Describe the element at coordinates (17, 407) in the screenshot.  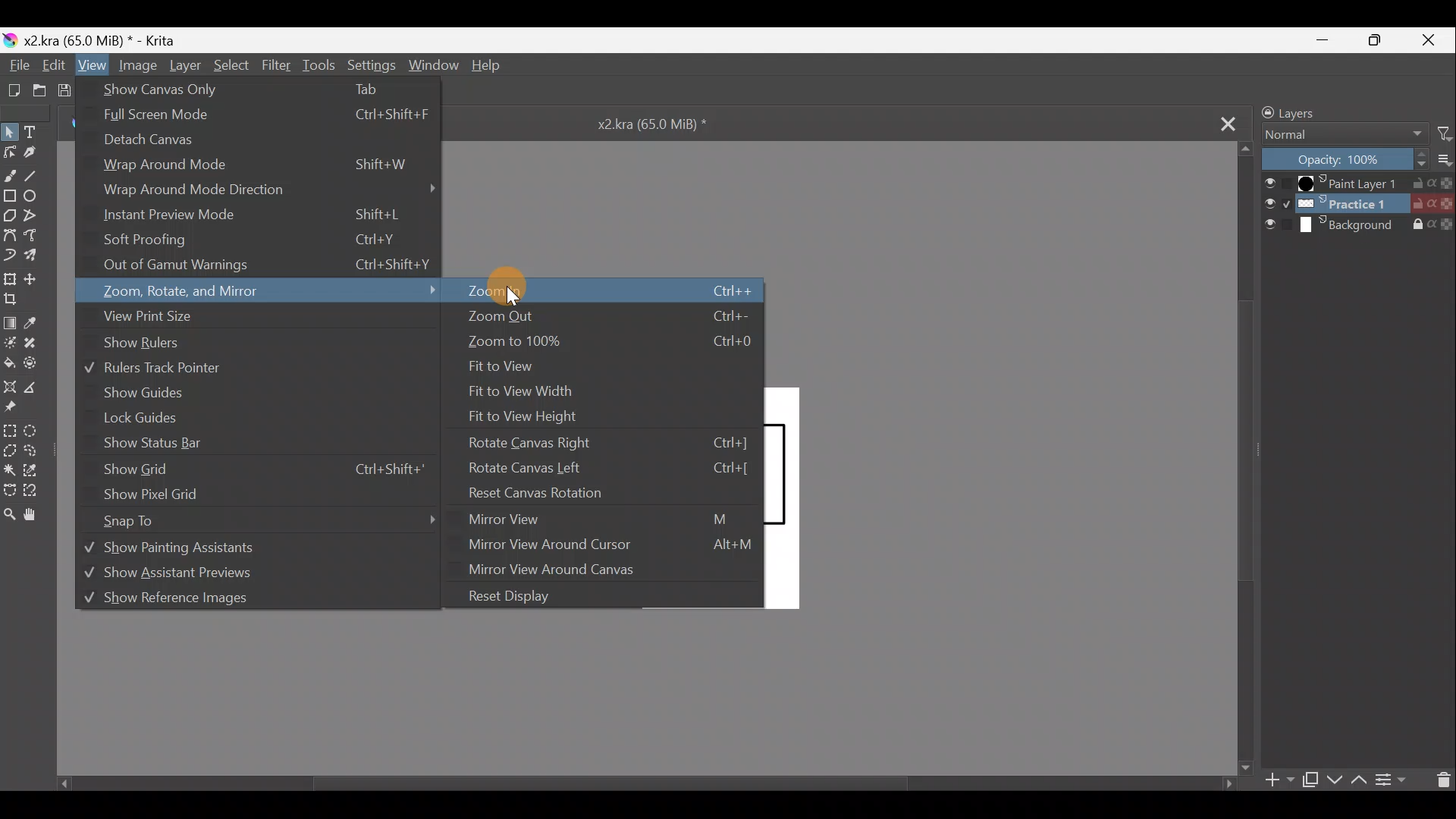
I see `Reference images tool` at that location.